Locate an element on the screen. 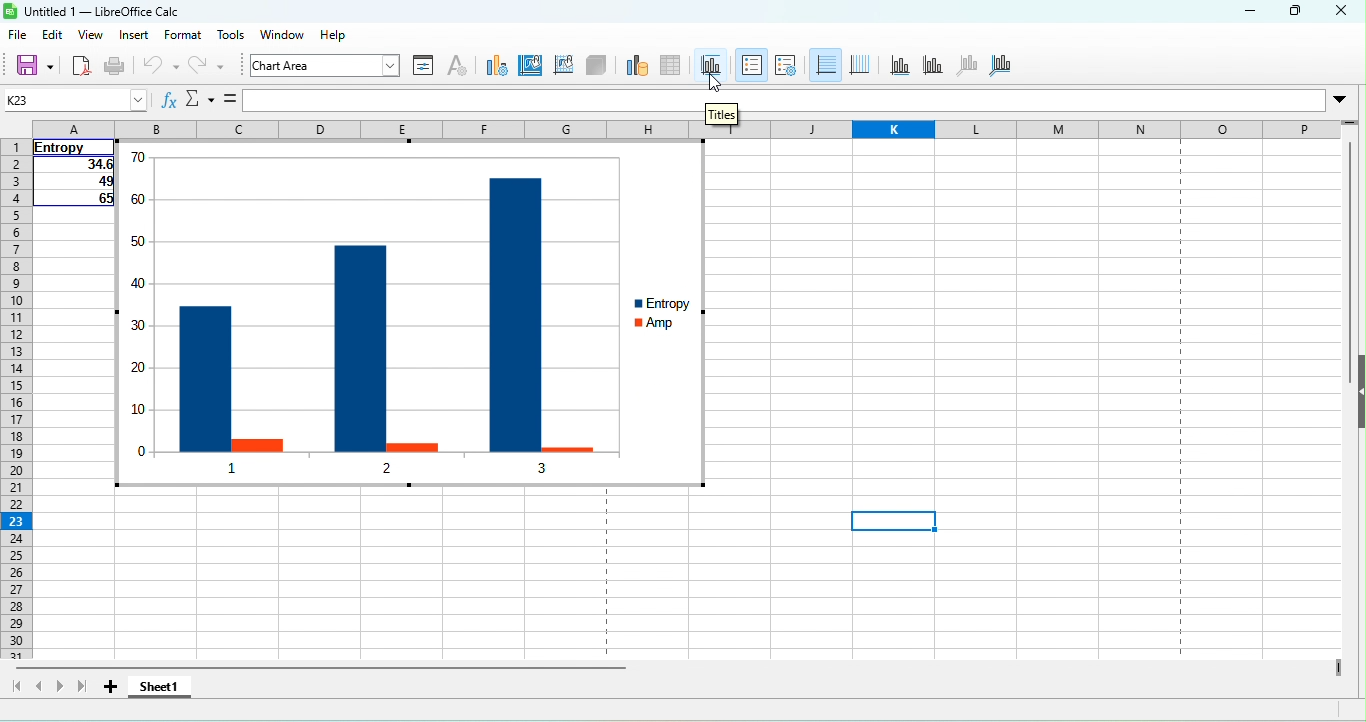  height is located at coordinates (1357, 393).